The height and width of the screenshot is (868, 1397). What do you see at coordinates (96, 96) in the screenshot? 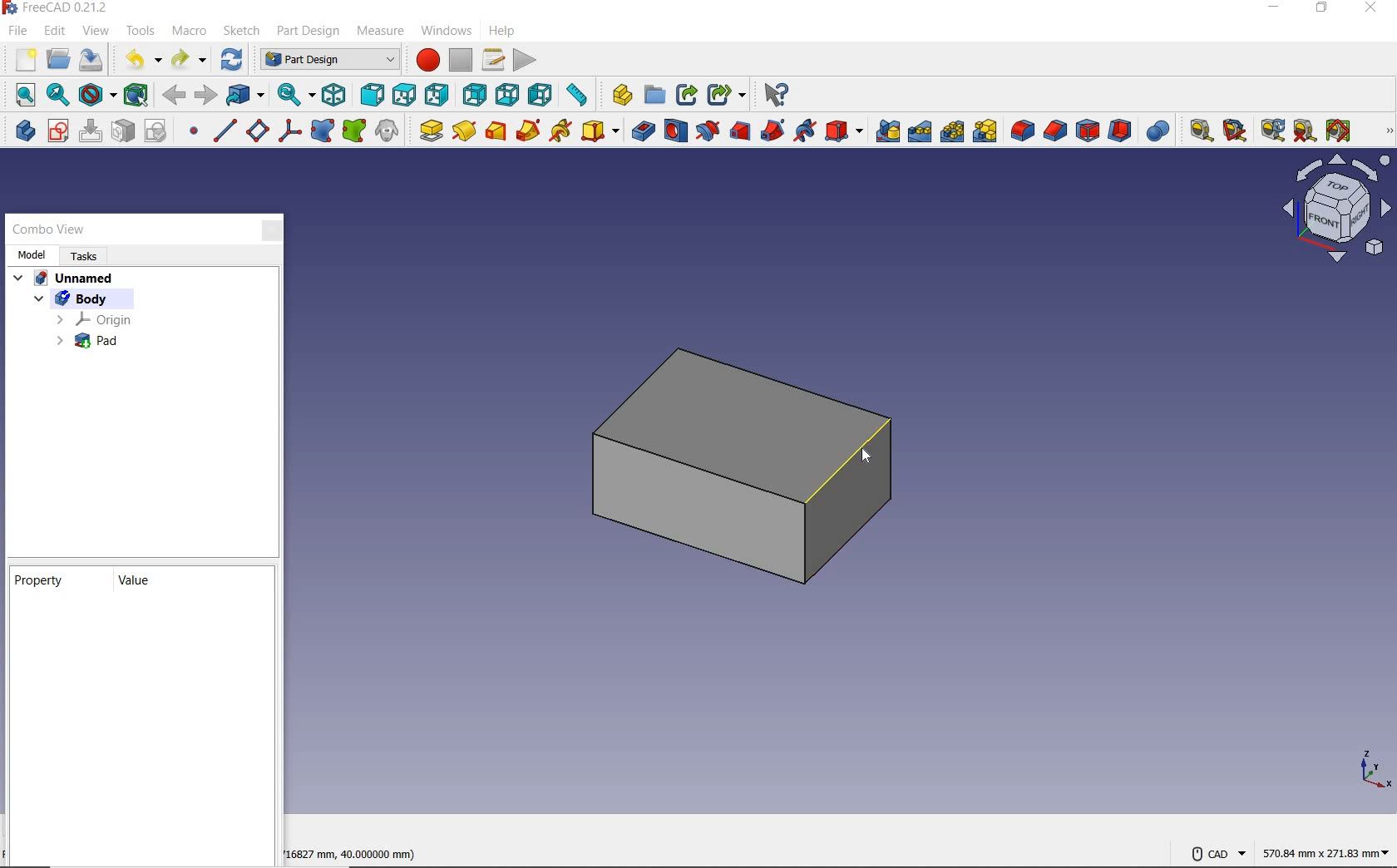
I see `draw style` at bounding box center [96, 96].